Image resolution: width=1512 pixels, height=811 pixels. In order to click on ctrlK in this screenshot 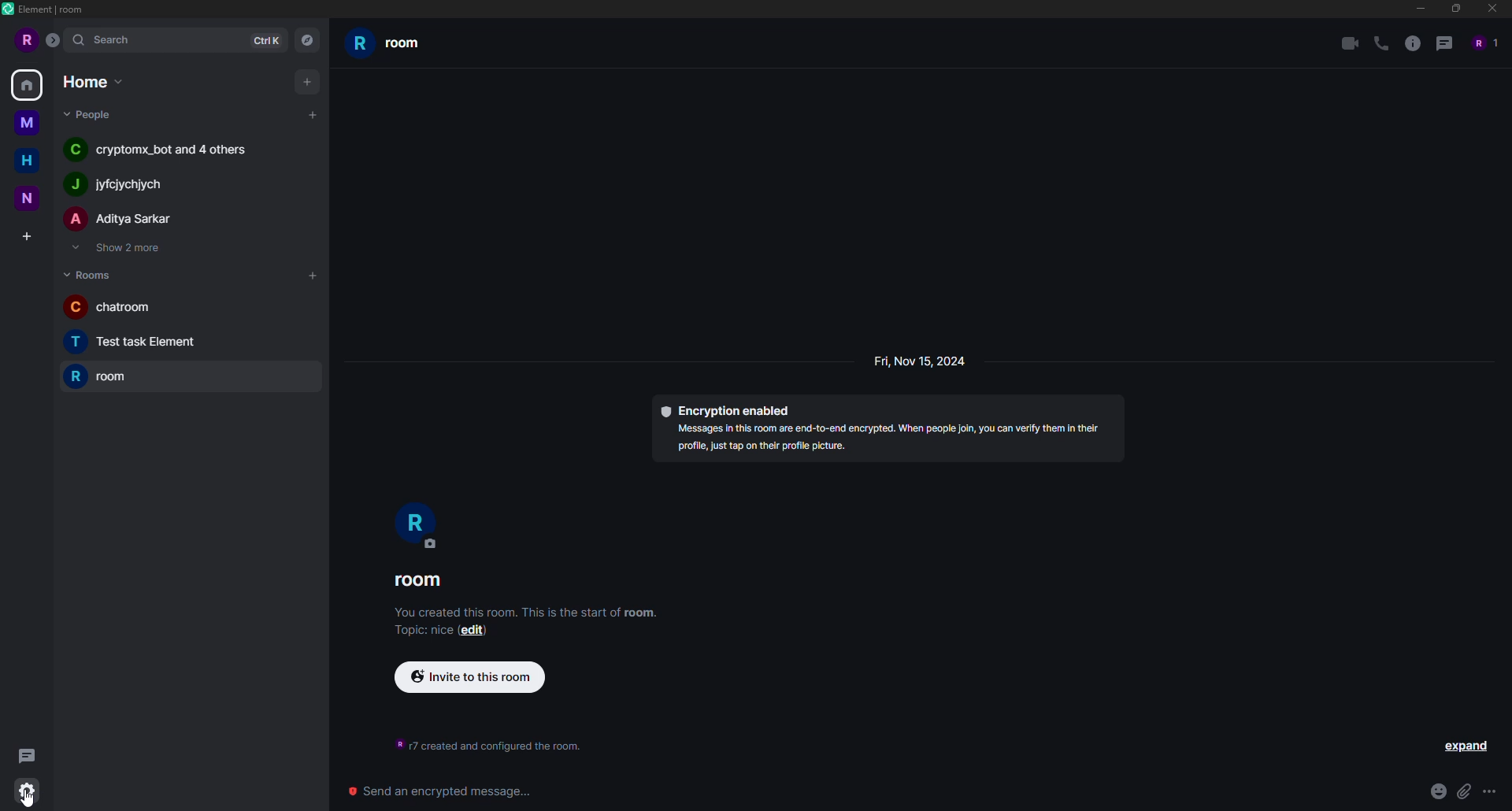, I will do `click(268, 41)`.